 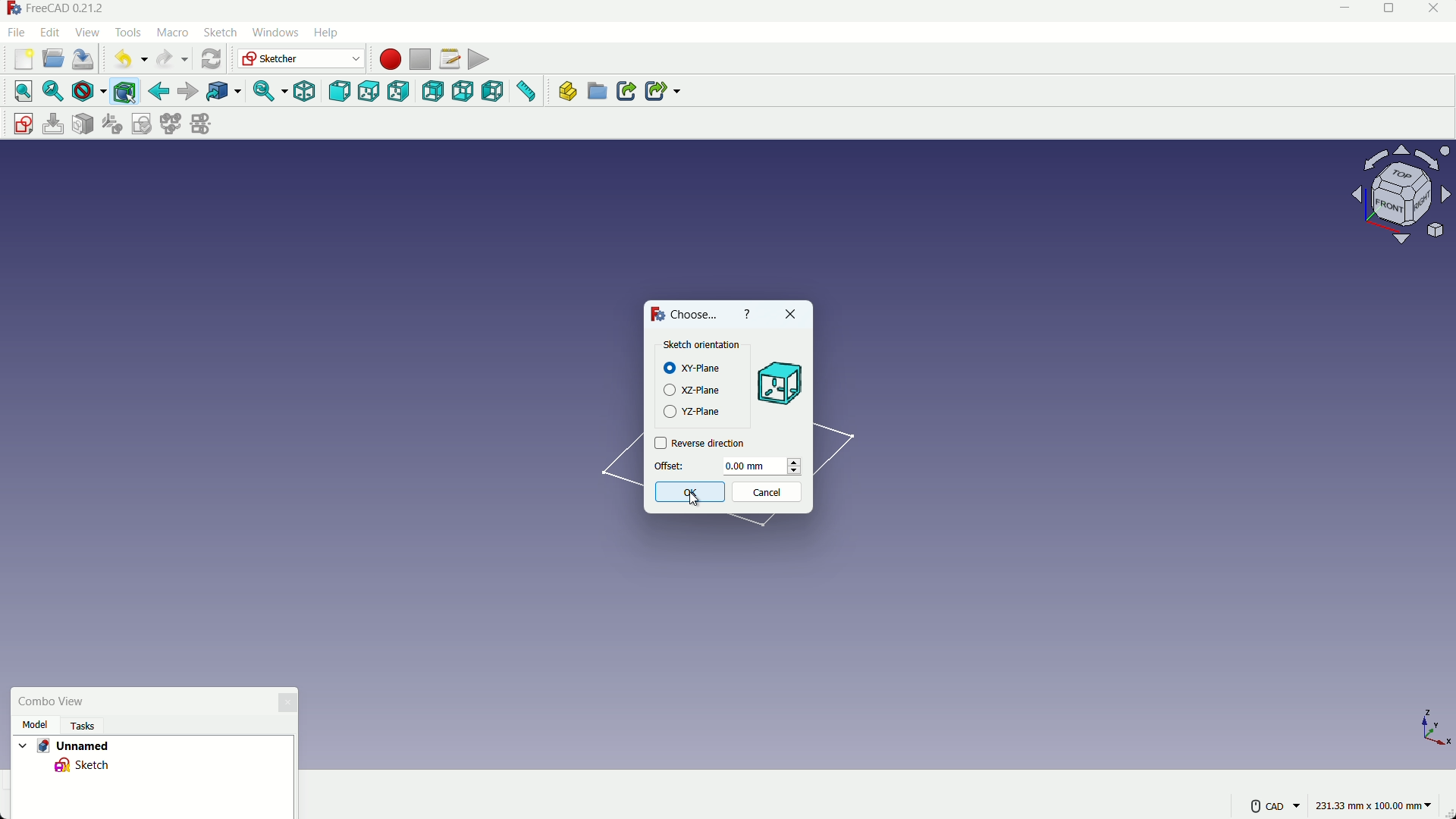 What do you see at coordinates (389, 59) in the screenshot?
I see `start macros` at bounding box center [389, 59].